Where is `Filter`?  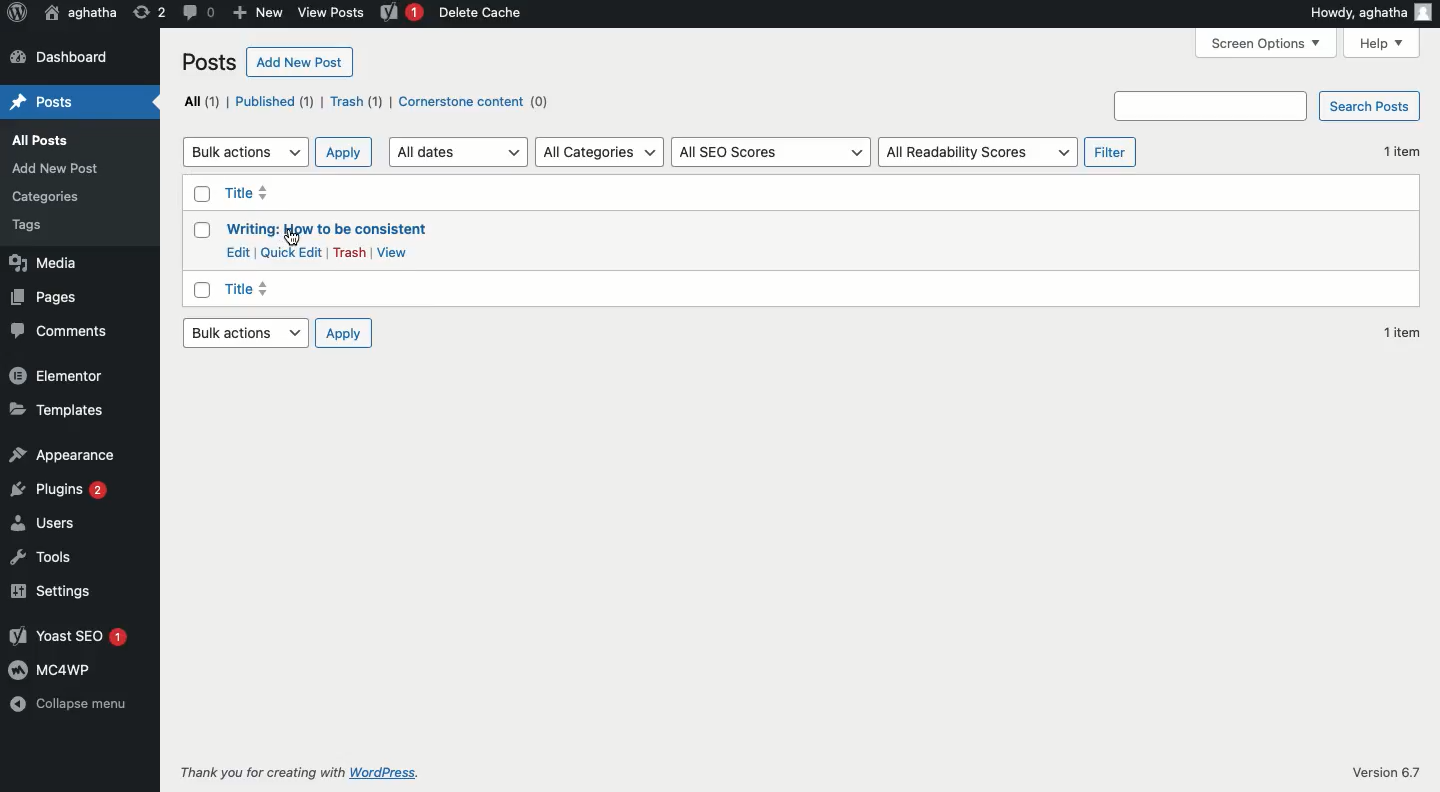 Filter is located at coordinates (1109, 152).